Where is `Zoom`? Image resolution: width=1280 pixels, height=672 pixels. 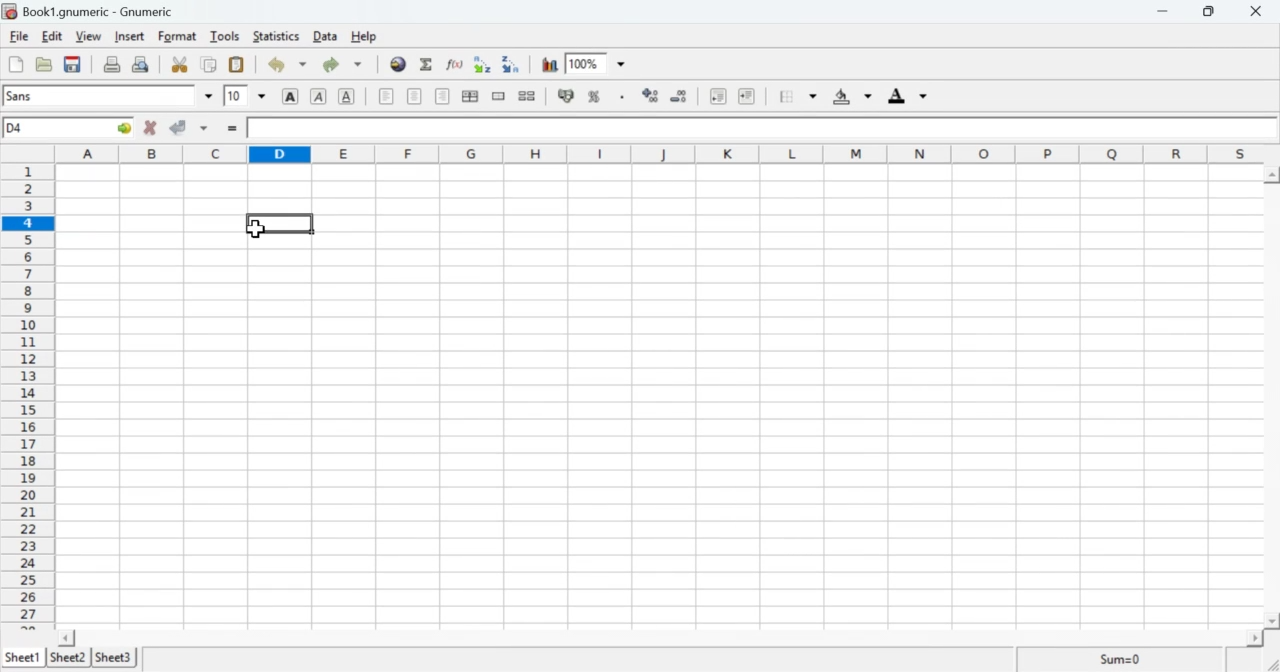 Zoom is located at coordinates (599, 63).